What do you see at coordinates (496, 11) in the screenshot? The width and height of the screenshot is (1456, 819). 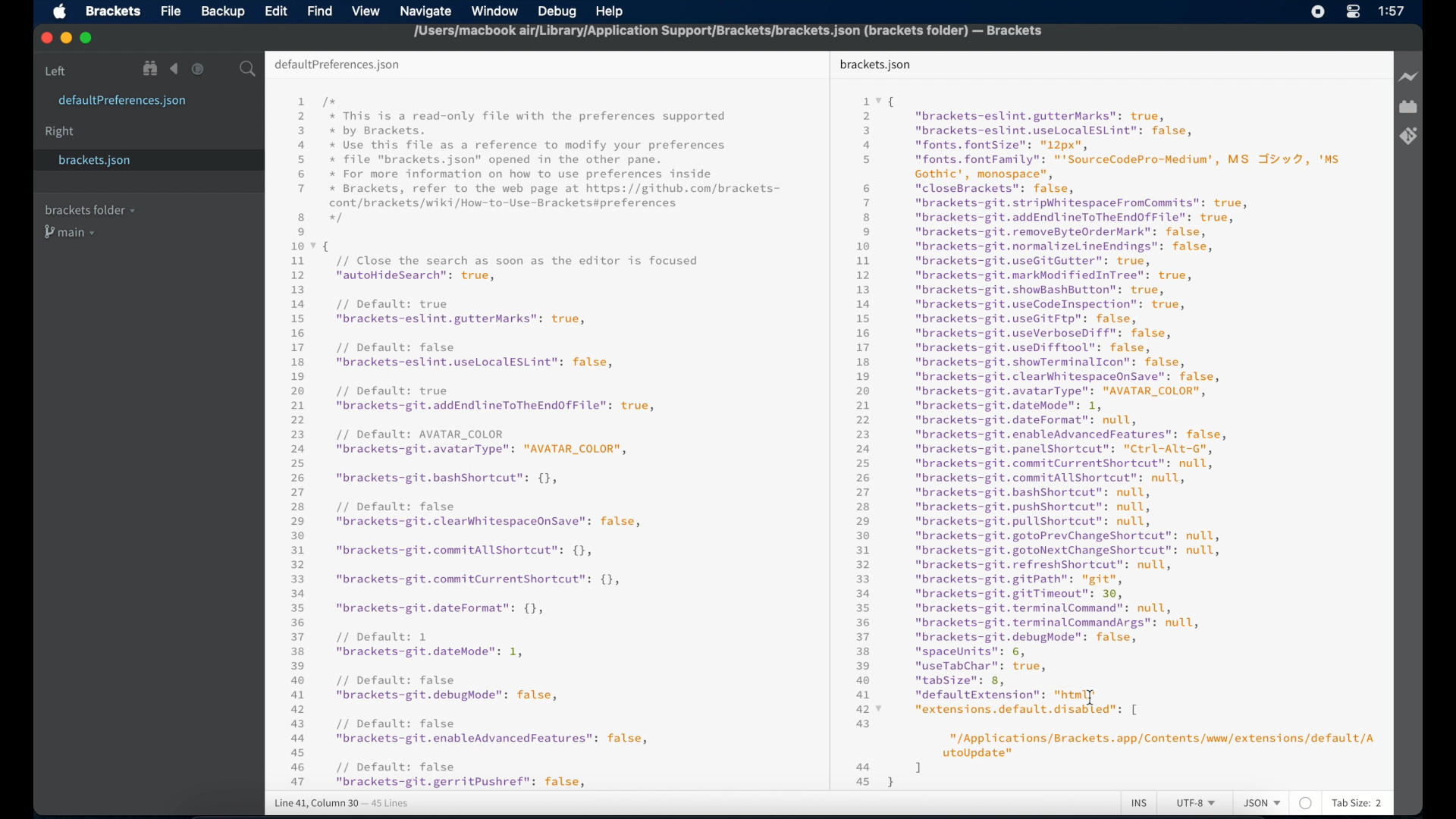 I see `window` at bounding box center [496, 11].